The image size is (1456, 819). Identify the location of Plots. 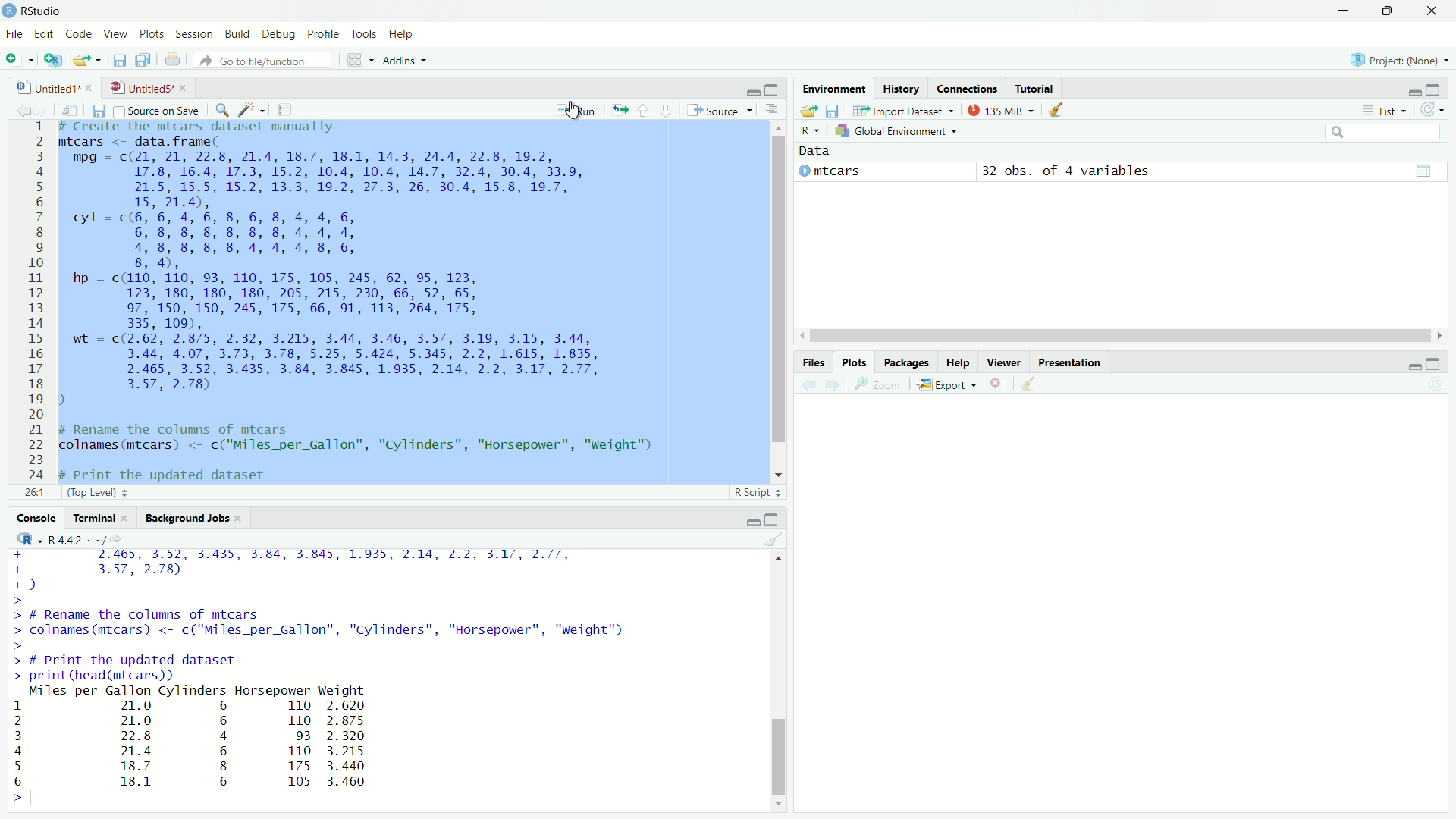
(855, 362).